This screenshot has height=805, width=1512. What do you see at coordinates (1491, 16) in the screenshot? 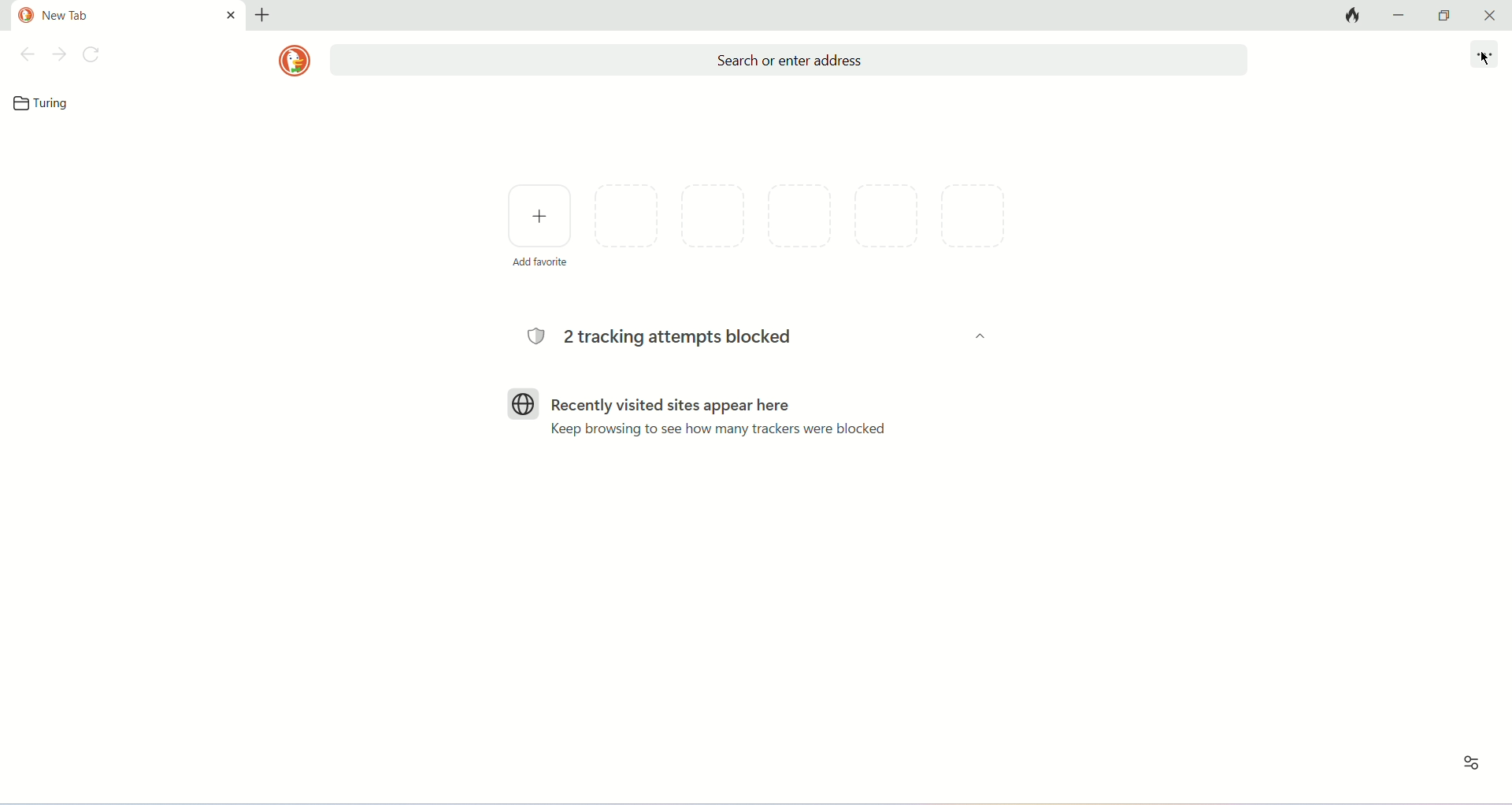
I see `close` at bounding box center [1491, 16].